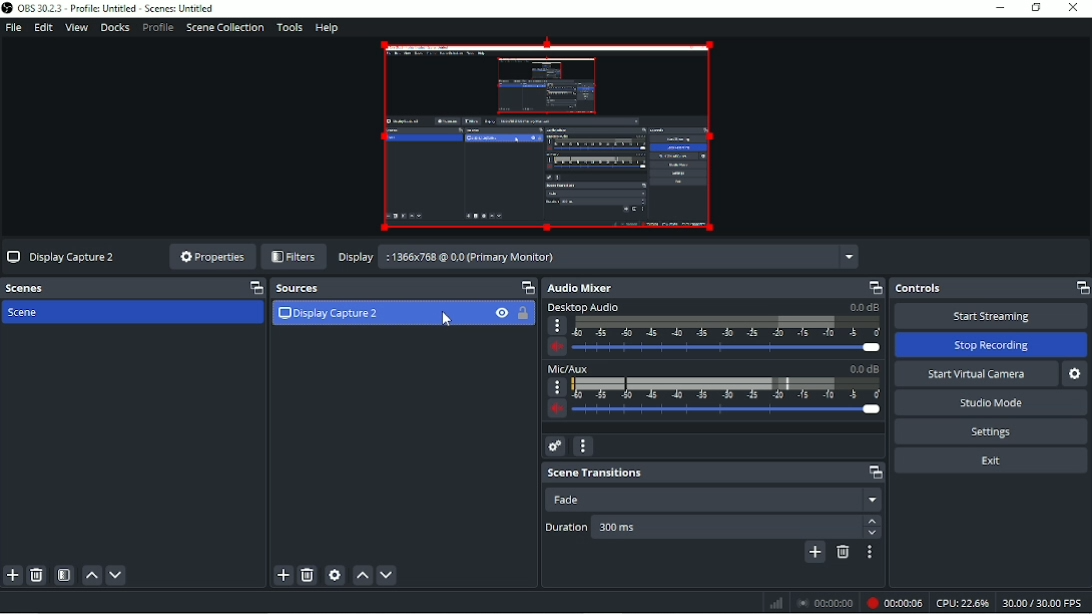  Describe the element at coordinates (294, 257) in the screenshot. I see `Filters` at that location.